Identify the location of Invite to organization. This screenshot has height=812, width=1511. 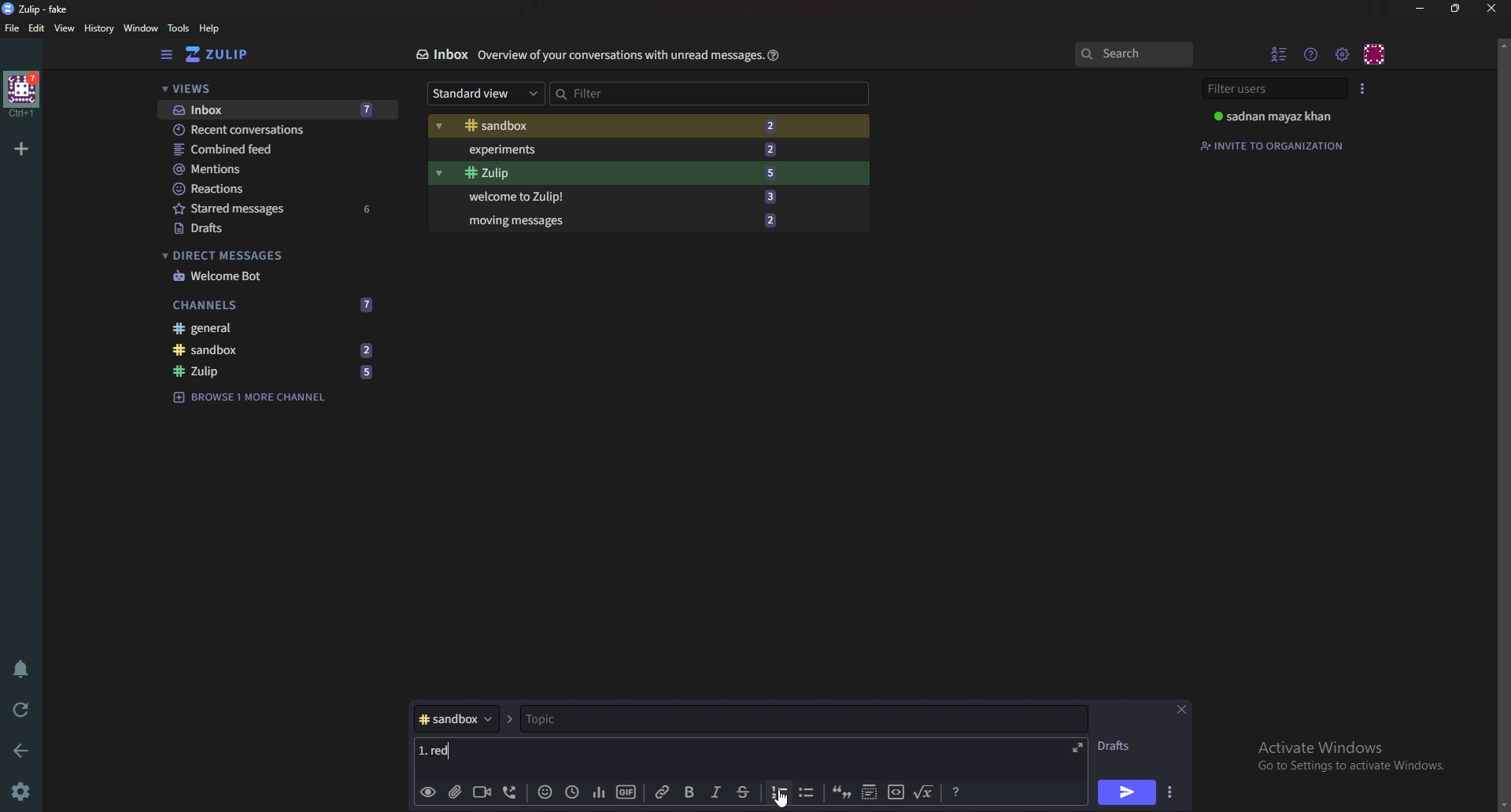
(1275, 144).